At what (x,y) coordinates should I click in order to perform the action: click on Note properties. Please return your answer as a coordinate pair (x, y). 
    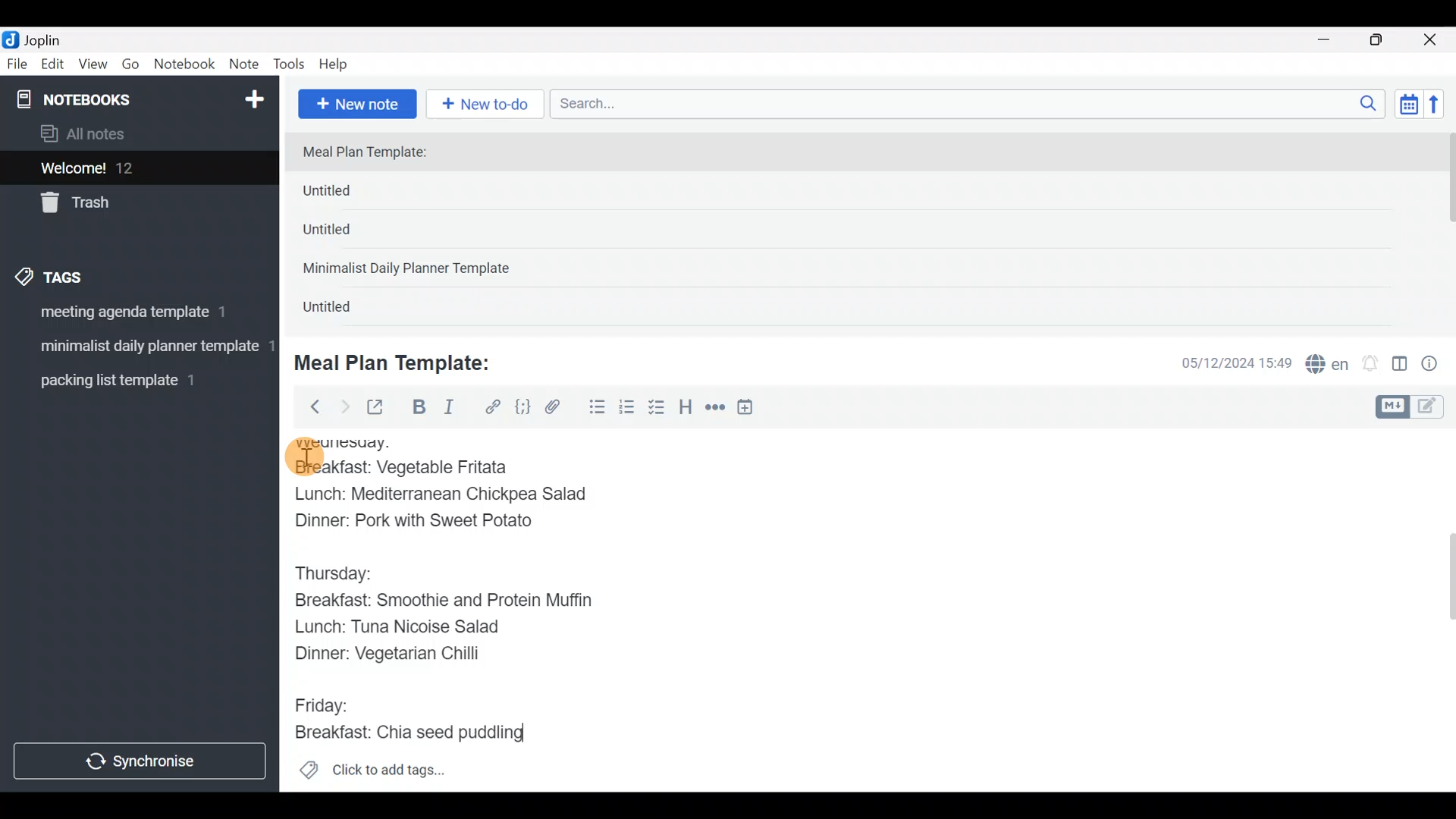
    Looking at the image, I should click on (1436, 365).